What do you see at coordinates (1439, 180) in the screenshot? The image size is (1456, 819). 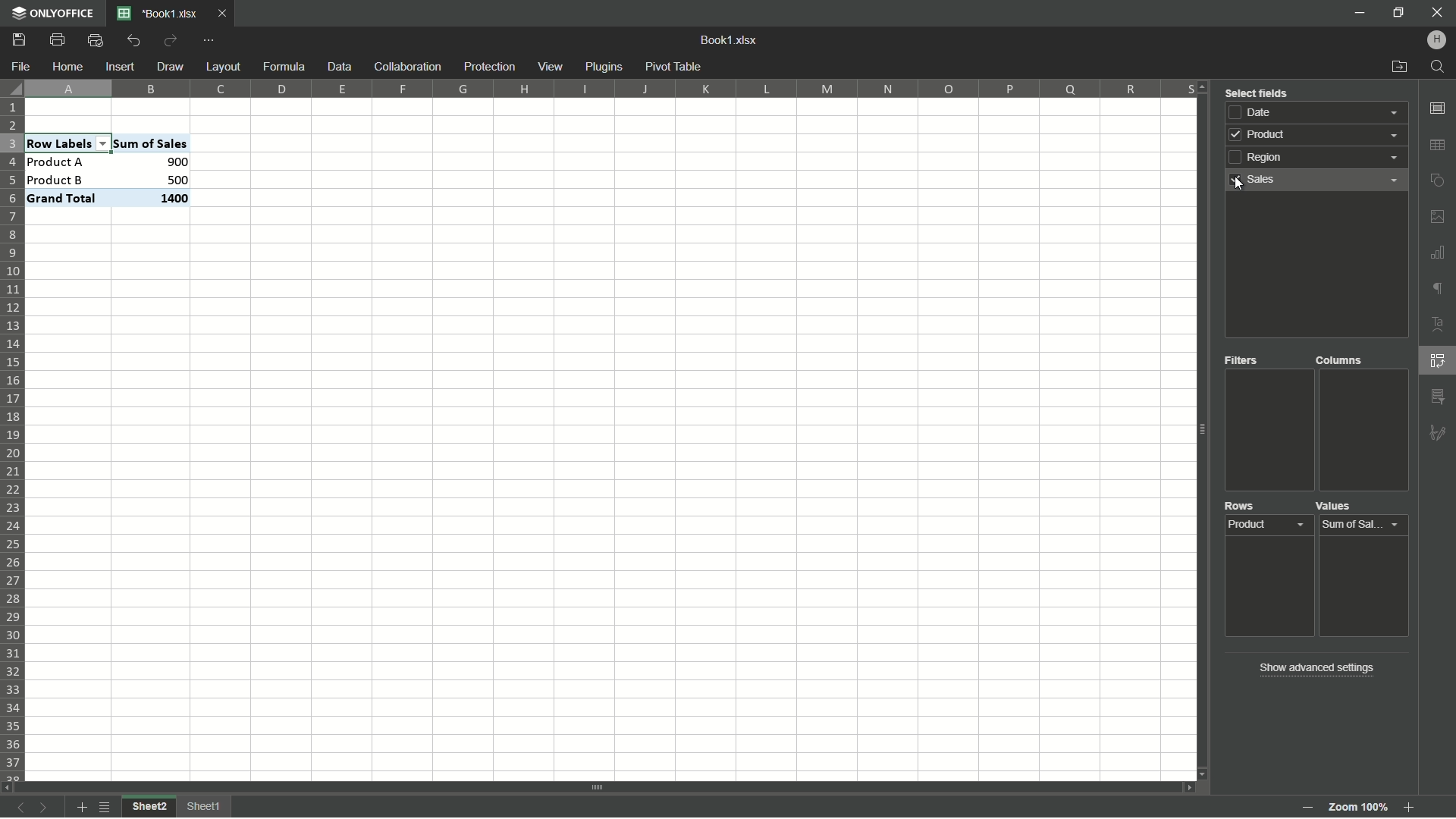 I see `insert shape` at bounding box center [1439, 180].